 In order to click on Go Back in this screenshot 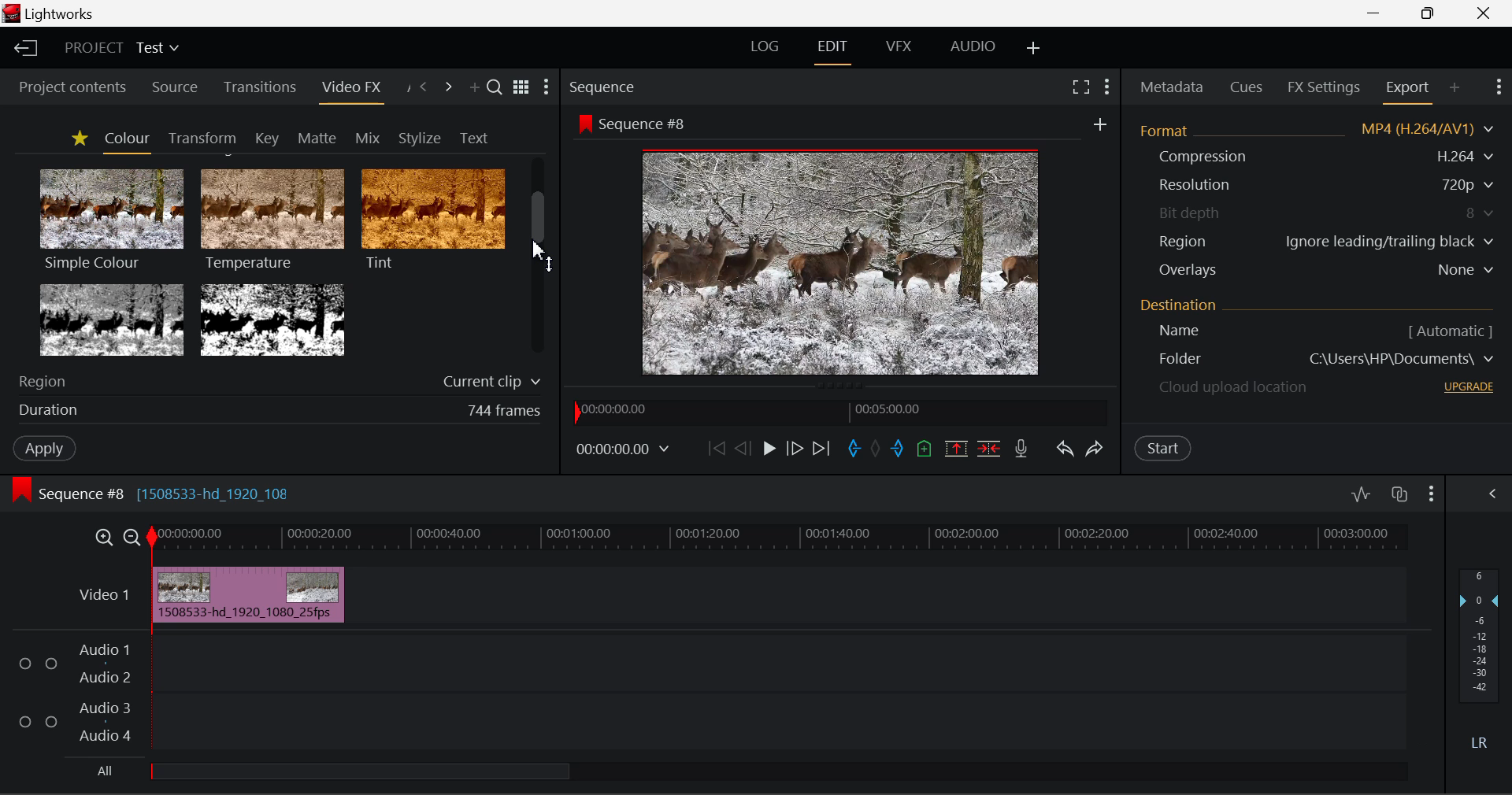, I will do `click(743, 449)`.